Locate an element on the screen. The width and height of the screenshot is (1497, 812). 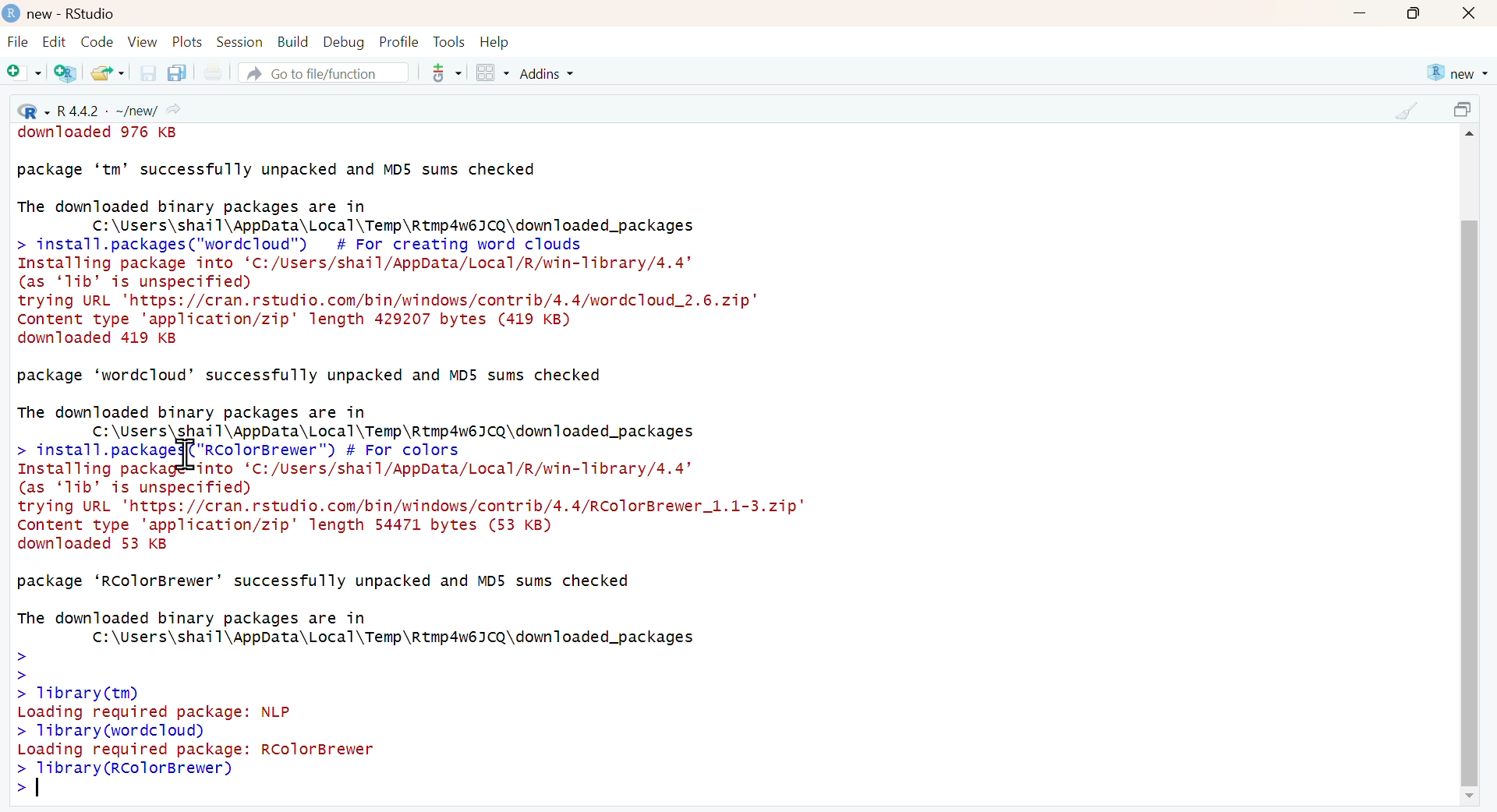
Plots is located at coordinates (189, 42).